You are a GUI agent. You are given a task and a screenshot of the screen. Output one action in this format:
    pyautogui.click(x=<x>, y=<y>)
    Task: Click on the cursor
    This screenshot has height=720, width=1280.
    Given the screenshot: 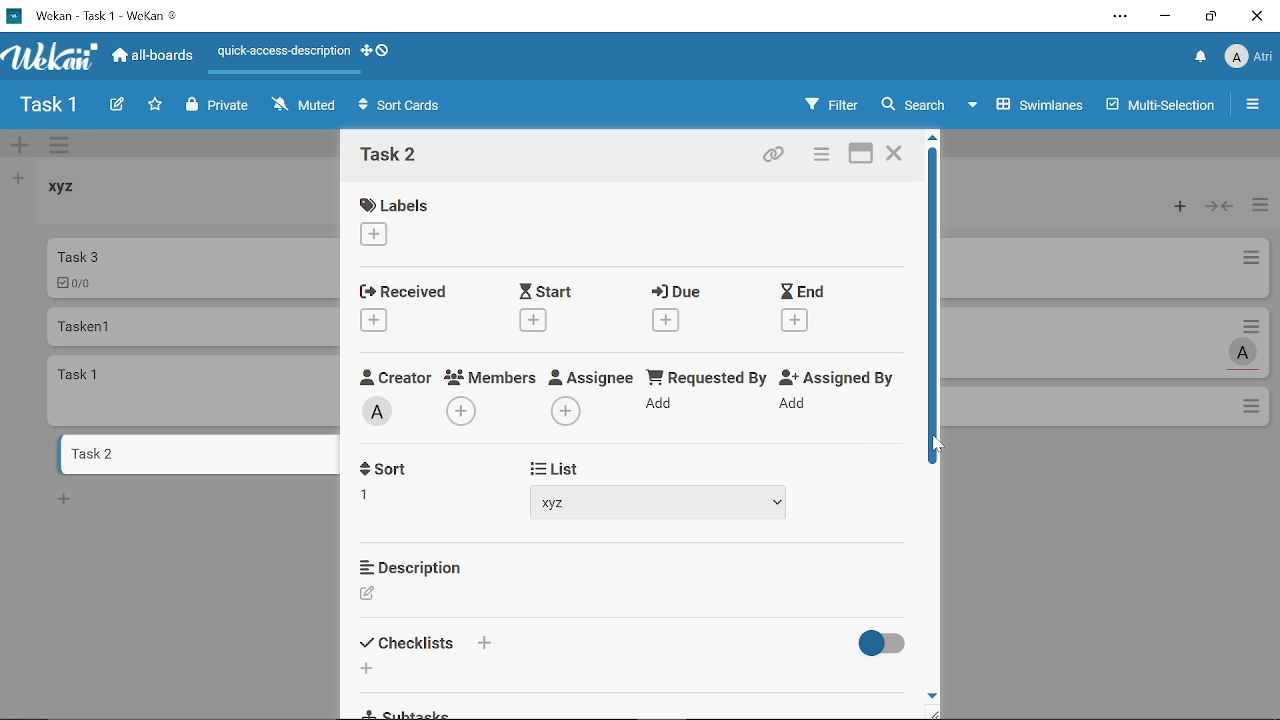 What is the action you would take?
    pyautogui.click(x=939, y=446)
    